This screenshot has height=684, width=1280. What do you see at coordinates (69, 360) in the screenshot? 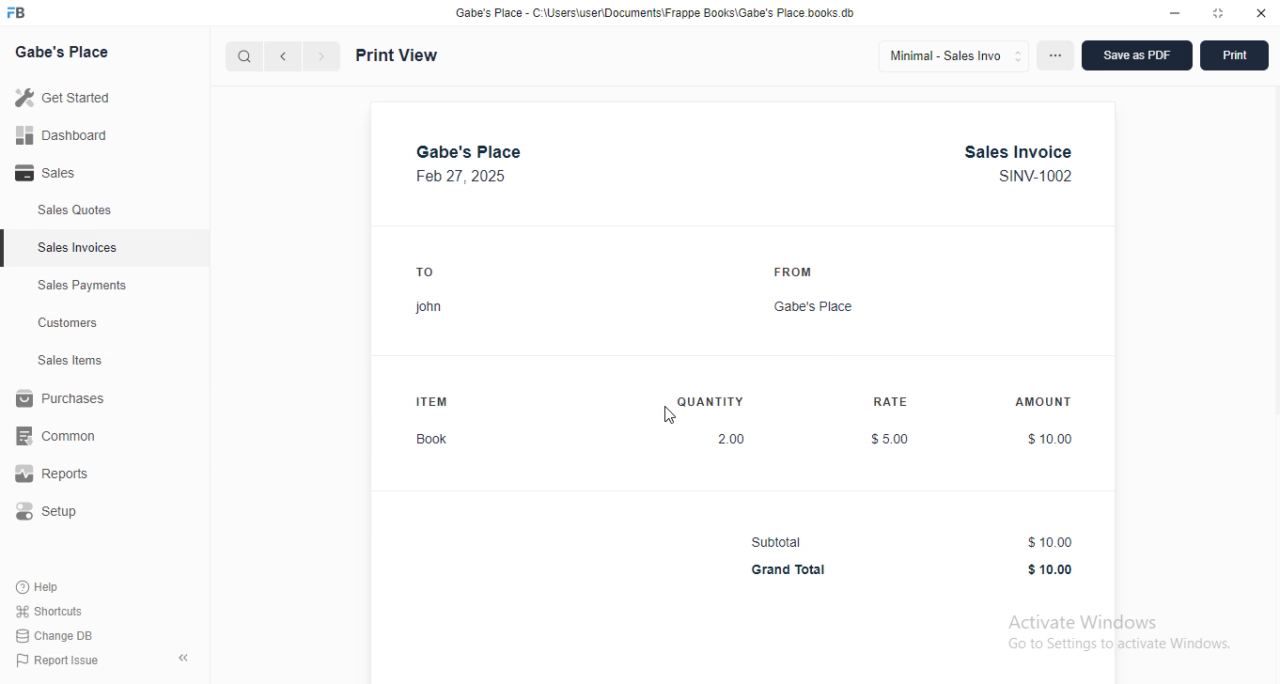
I see `sales items` at bounding box center [69, 360].